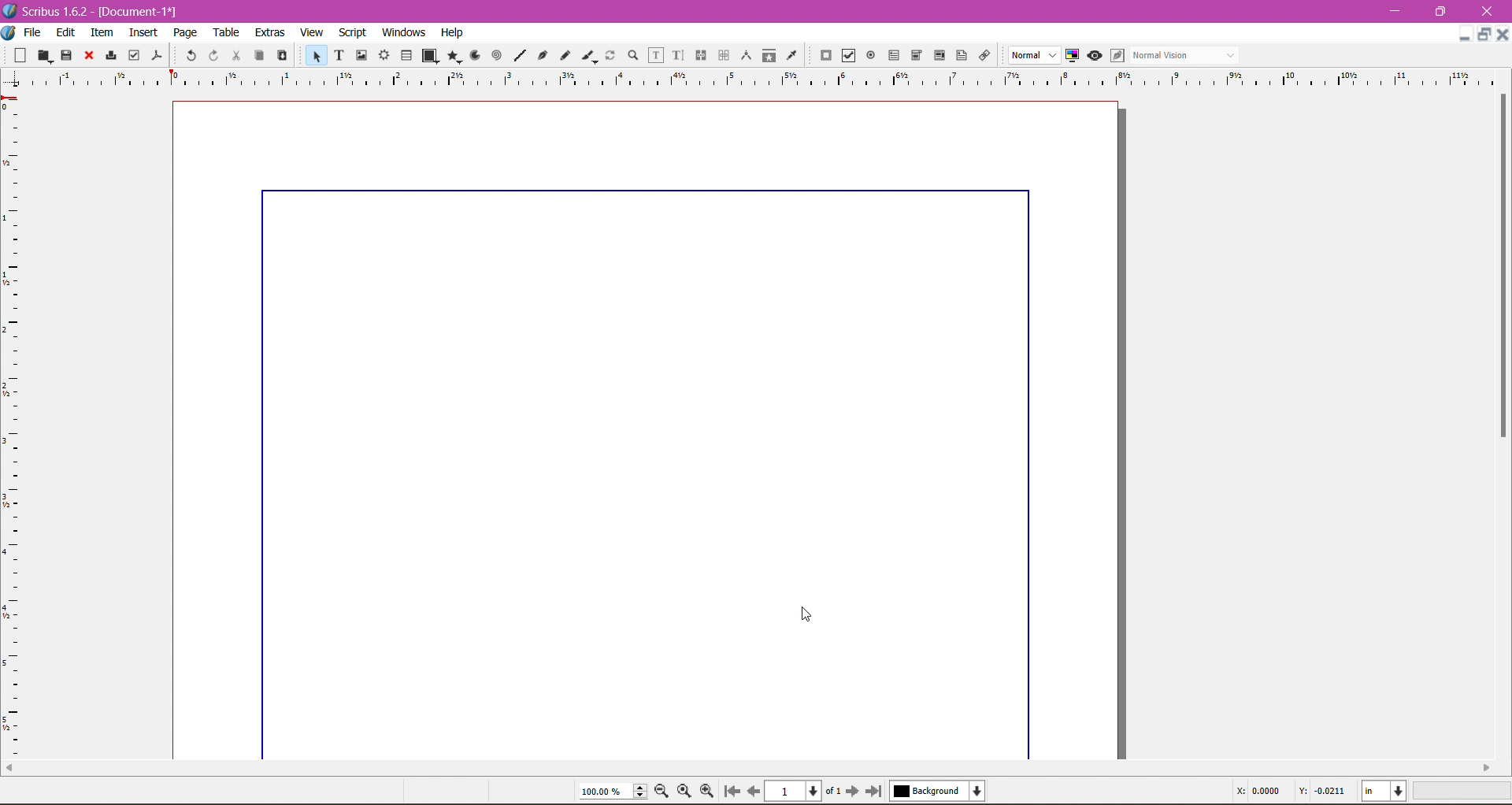 Image resolution: width=1512 pixels, height=805 pixels. Describe the element at coordinates (67, 54) in the screenshot. I see `Save` at that location.